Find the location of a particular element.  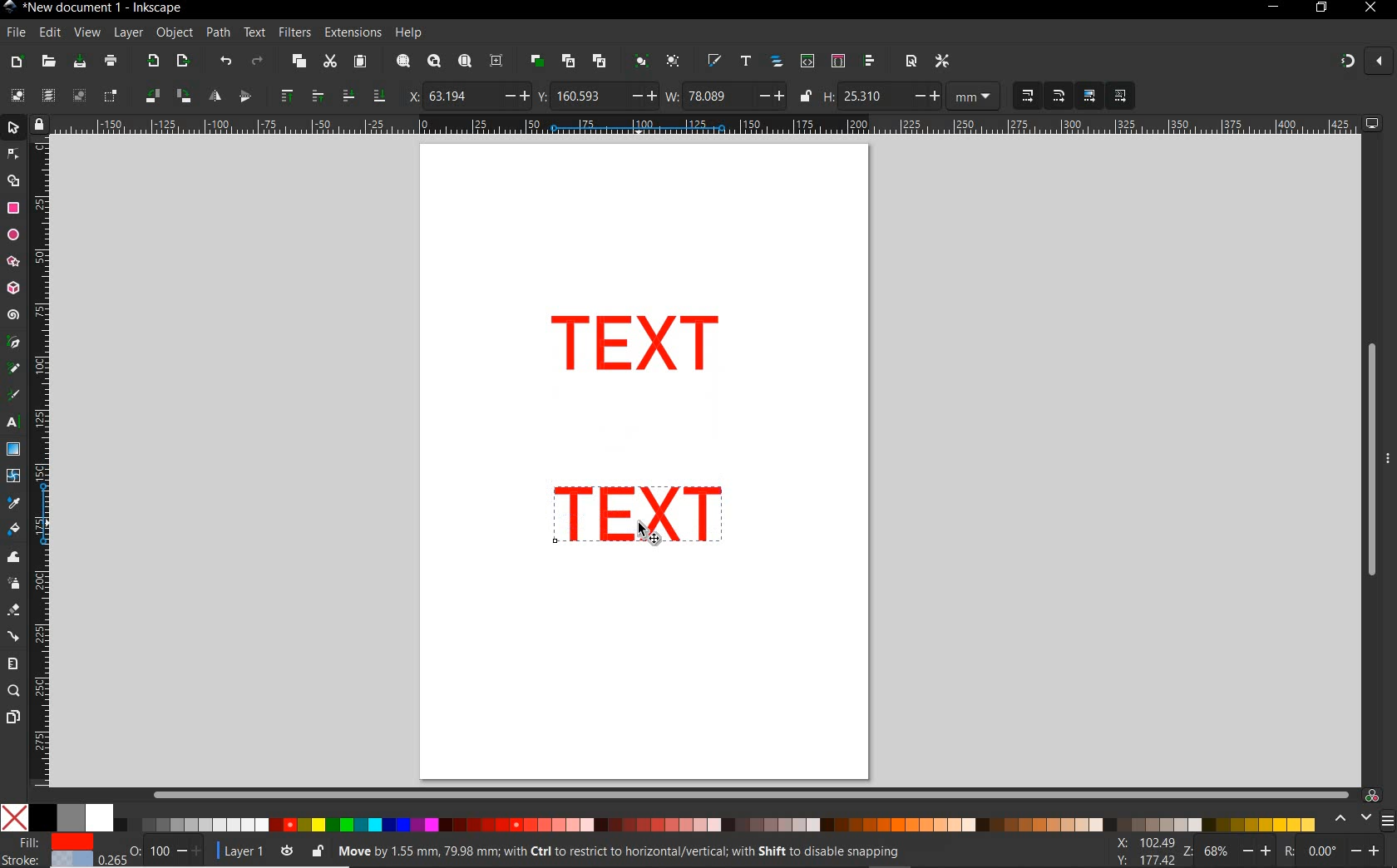

star tool is located at coordinates (13, 262).